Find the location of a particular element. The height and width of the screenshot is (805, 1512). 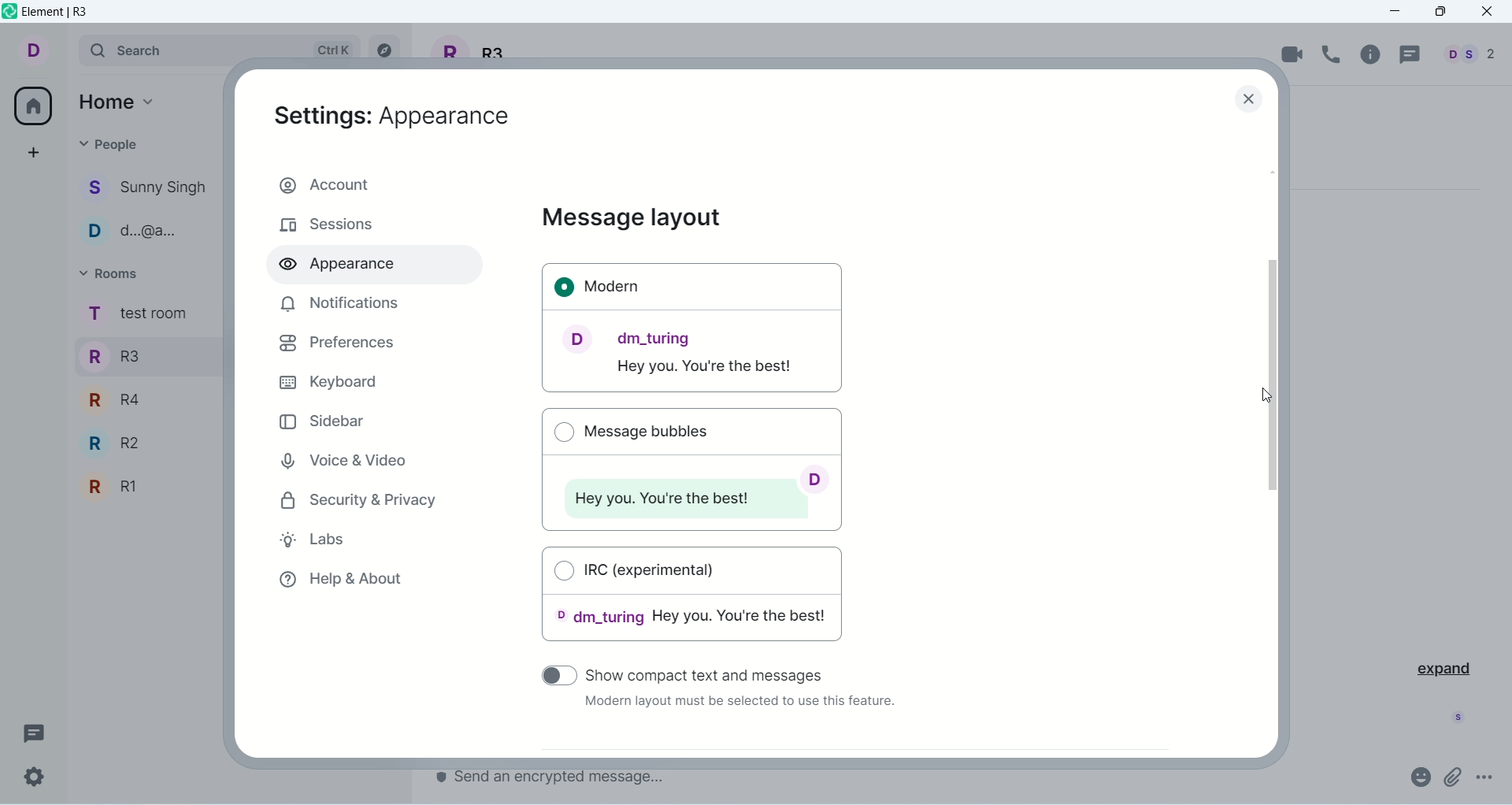

R3 is located at coordinates (144, 354).